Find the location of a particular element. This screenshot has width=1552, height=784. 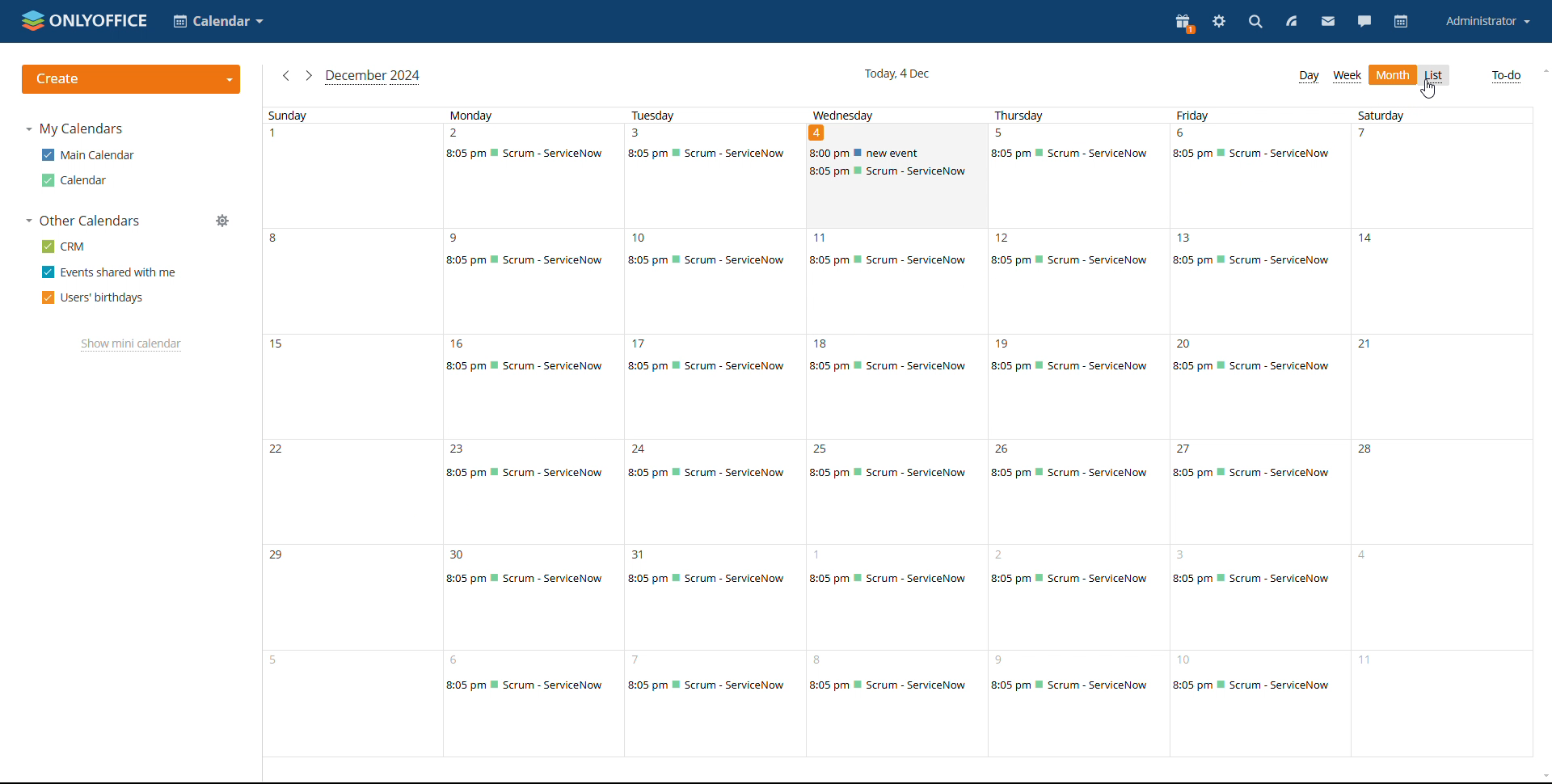

list view is located at coordinates (1436, 75).